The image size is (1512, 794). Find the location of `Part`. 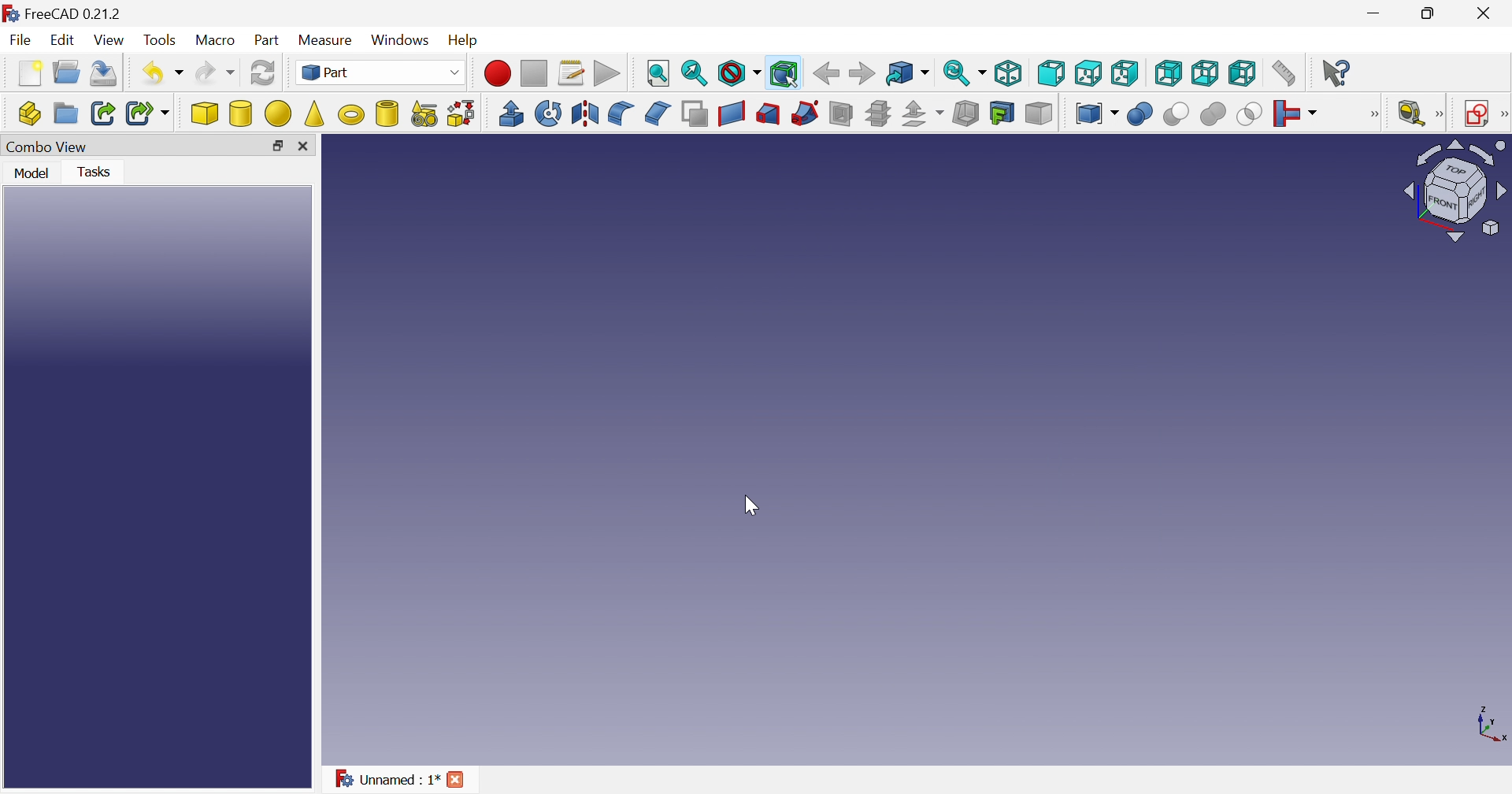

Part is located at coordinates (383, 74).